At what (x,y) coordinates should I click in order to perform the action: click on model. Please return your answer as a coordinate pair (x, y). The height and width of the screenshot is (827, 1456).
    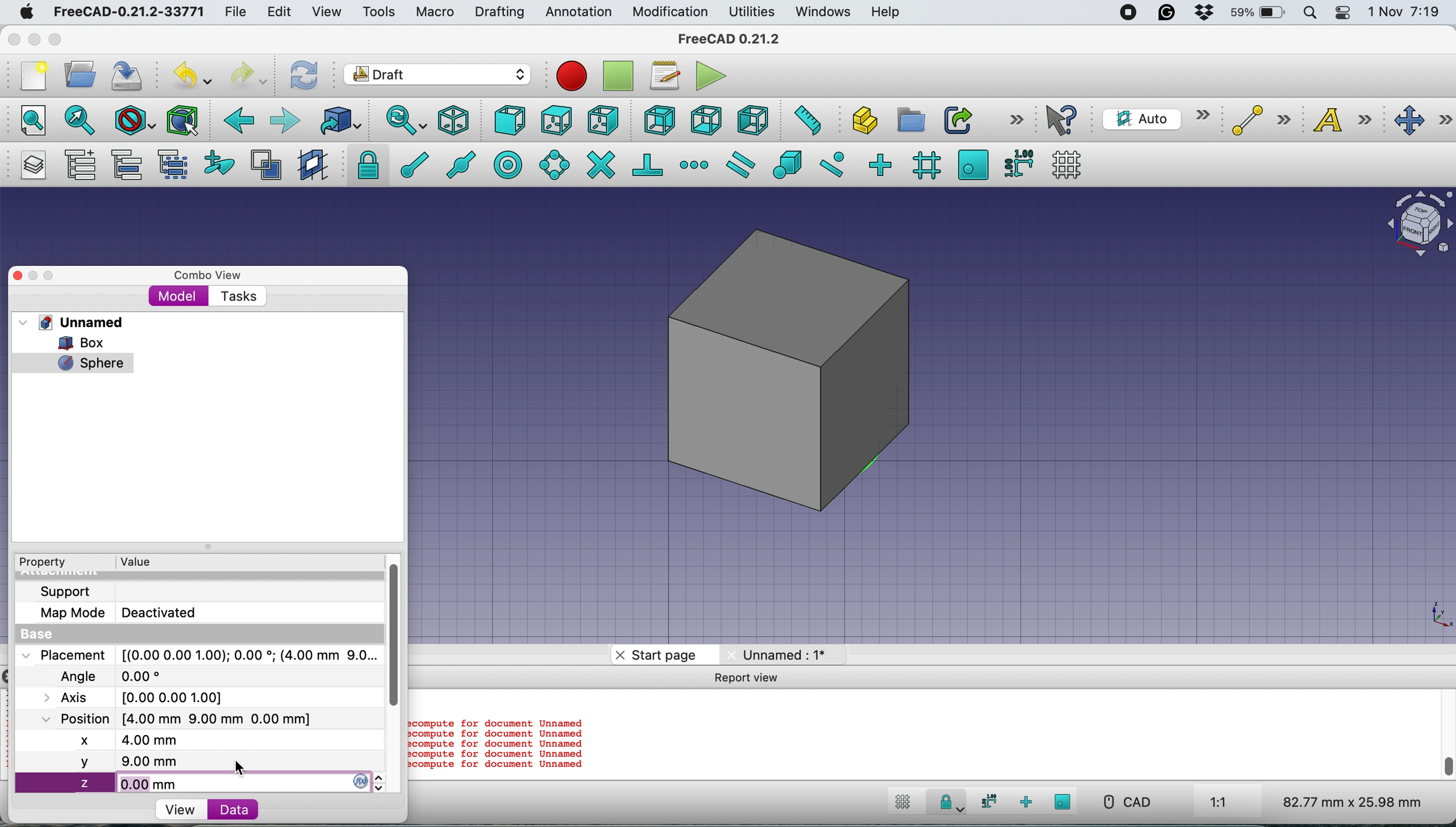
    Looking at the image, I should click on (178, 295).